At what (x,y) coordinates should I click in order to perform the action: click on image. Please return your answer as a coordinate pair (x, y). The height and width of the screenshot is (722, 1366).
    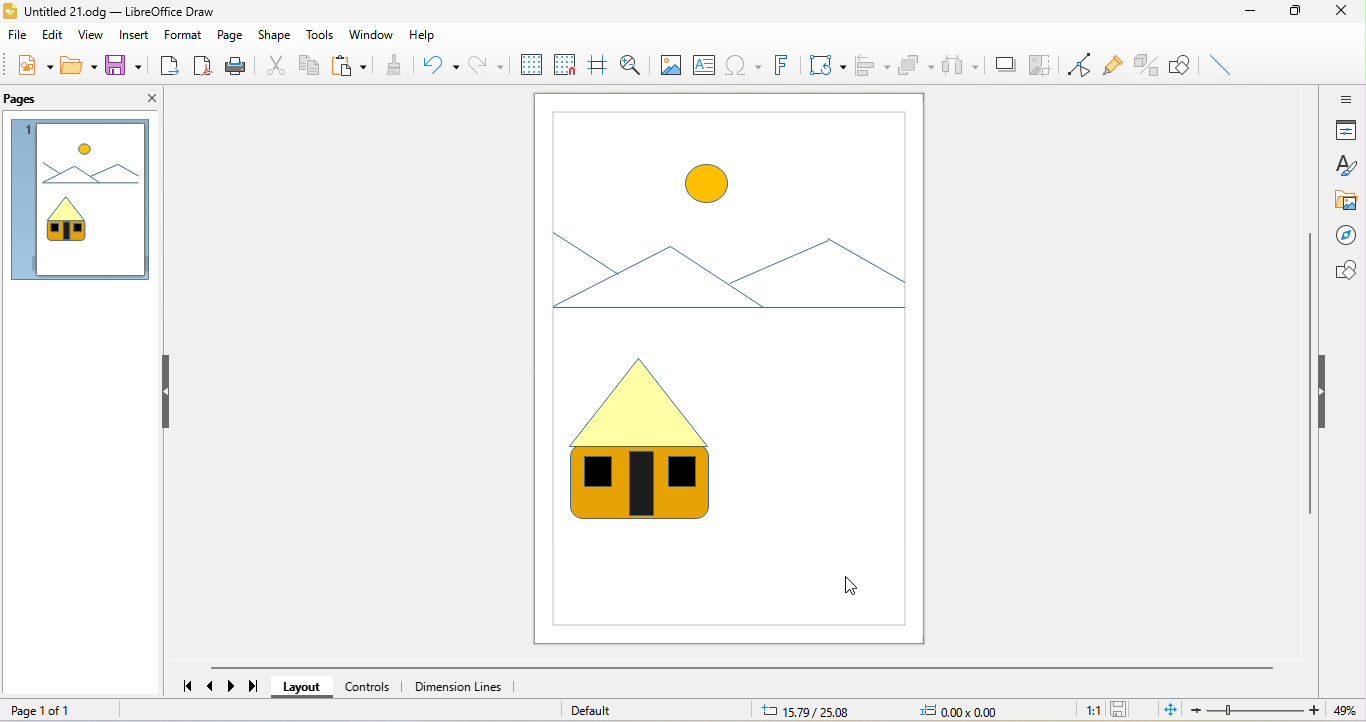
    Looking at the image, I should click on (722, 368).